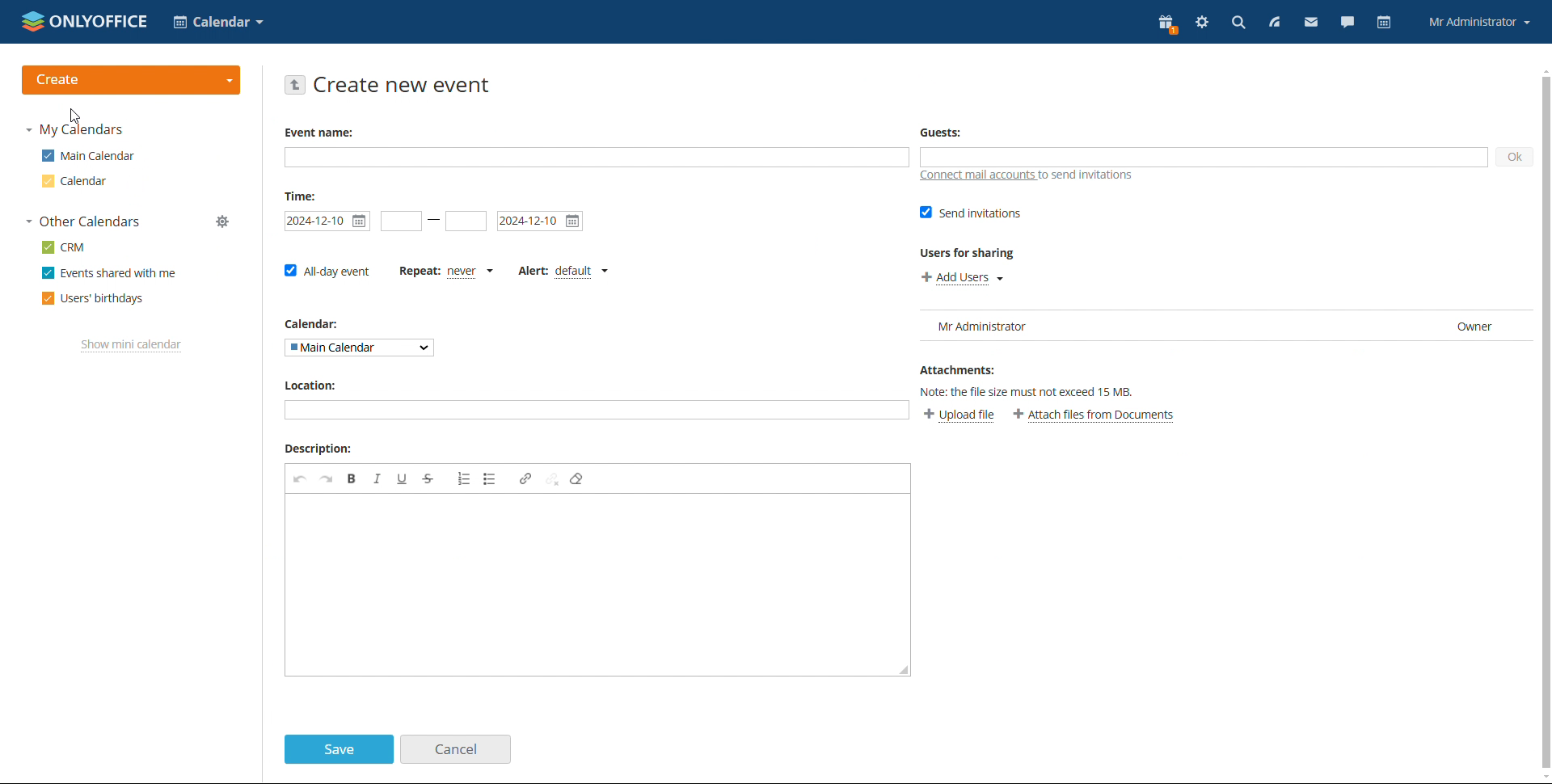  What do you see at coordinates (465, 478) in the screenshot?
I see `insert/remove numbered list` at bounding box center [465, 478].